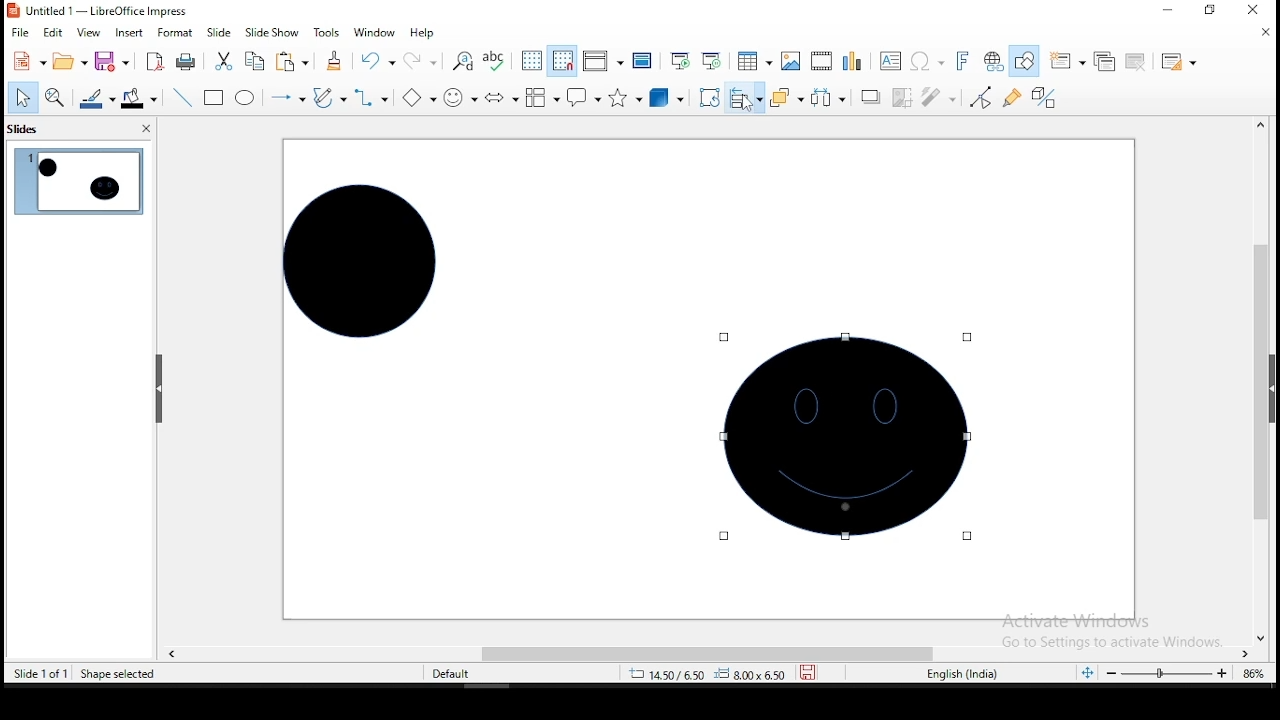 This screenshot has height=720, width=1280. What do you see at coordinates (1103, 61) in the screenshot?
I see `duplicate slide` at bounding box center [1103, 61].